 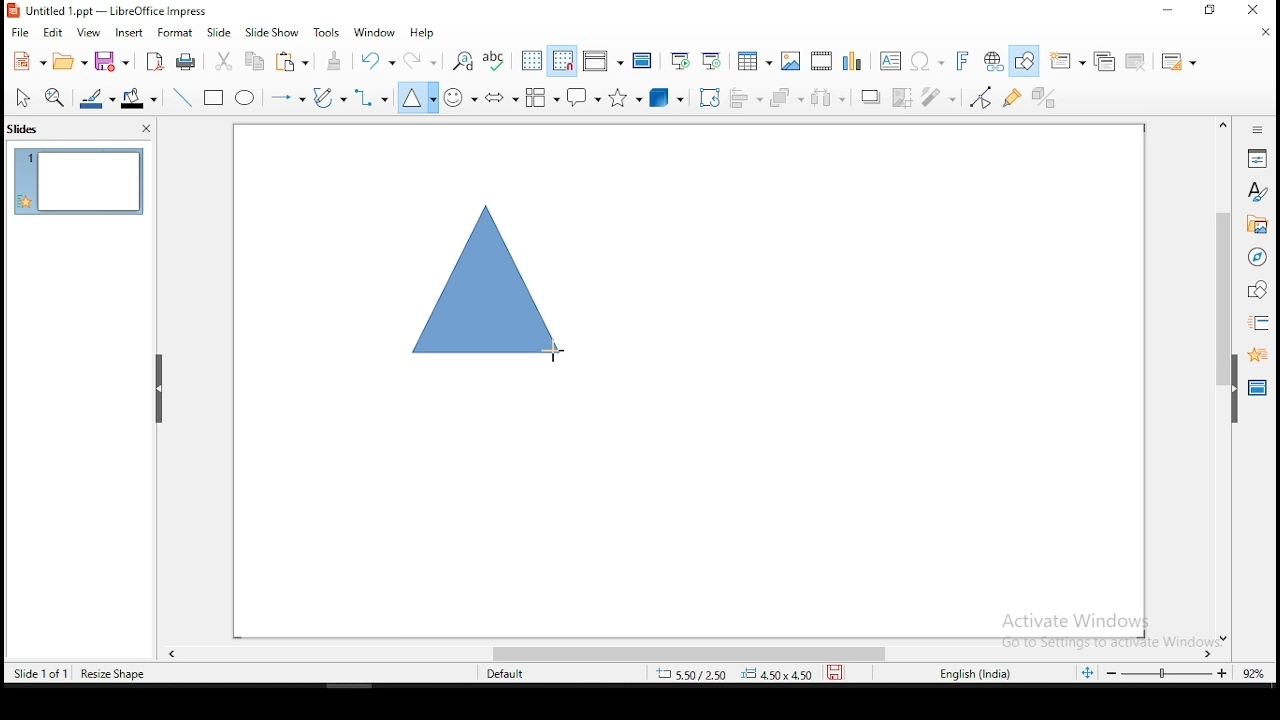 I want to click on slide show, so click(x=272, y=32).